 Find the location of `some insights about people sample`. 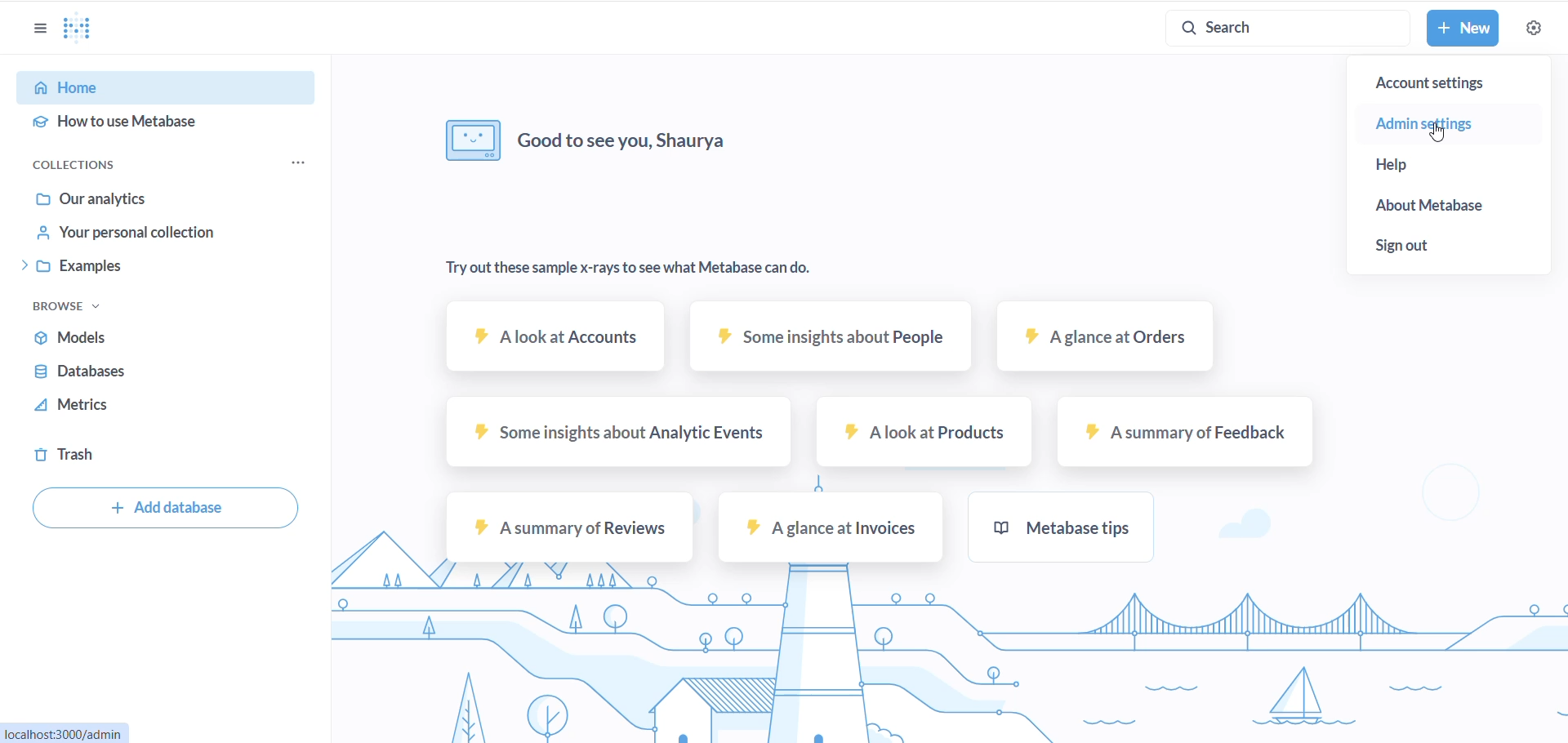

some insights about people sample is located at coordinates (826, 336).